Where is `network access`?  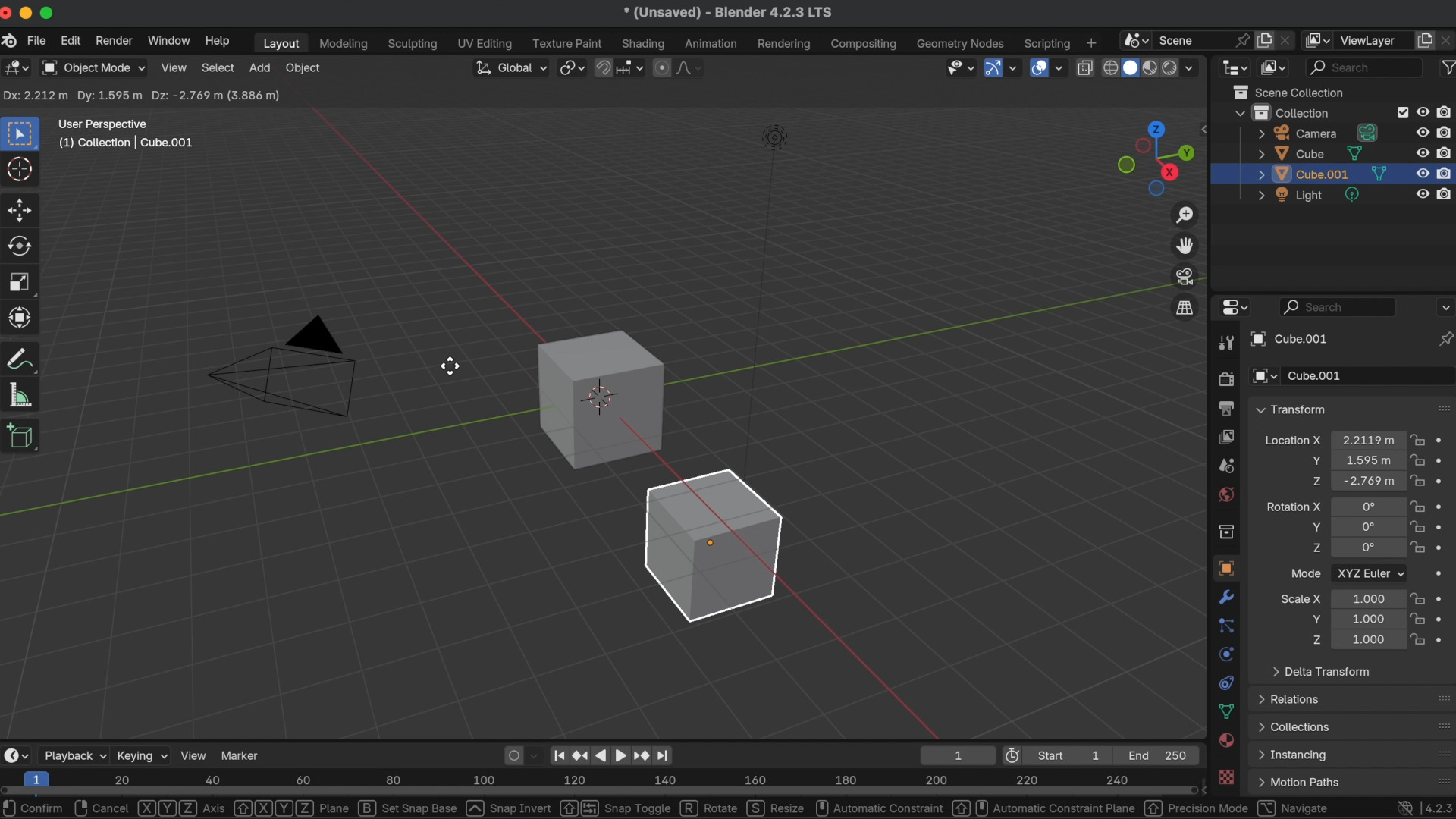
network access is located at coordinates (1403, 807).